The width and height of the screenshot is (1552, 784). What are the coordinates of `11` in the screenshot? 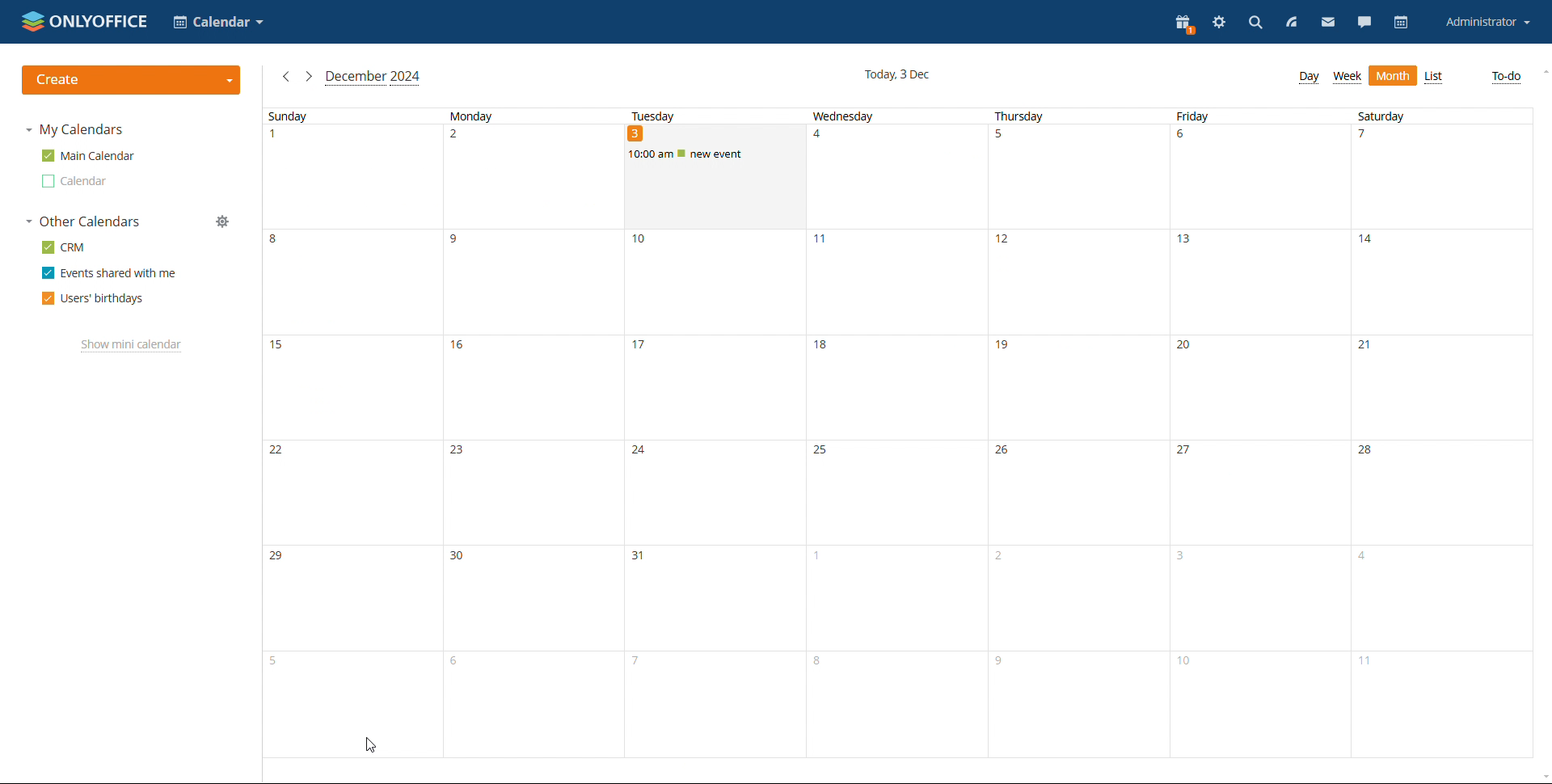 It's located at (1443, 703).